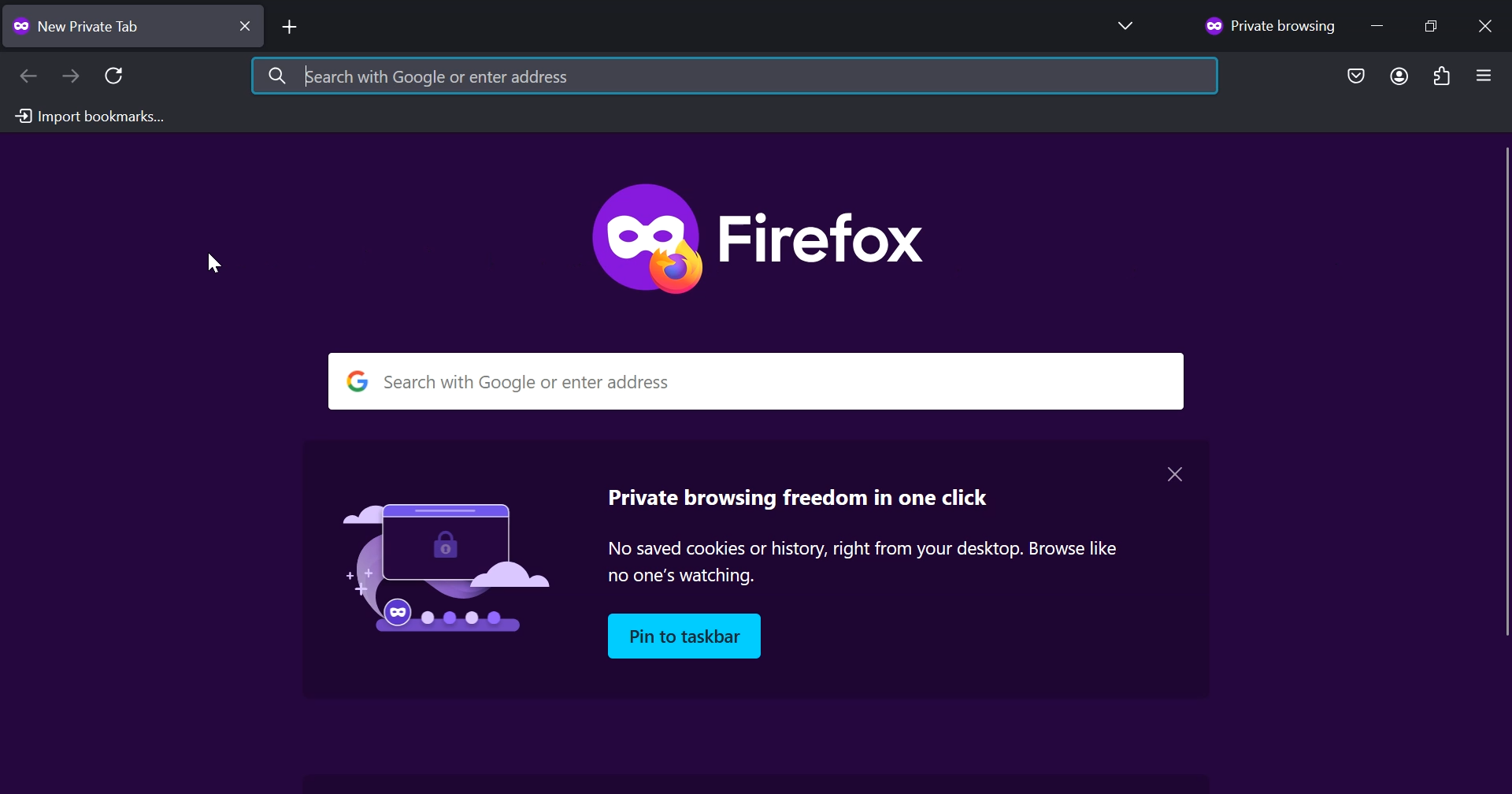  Describe the element at coordinates (736, 76) in the screenshot. I see `Search with Google or enter address` at that location.